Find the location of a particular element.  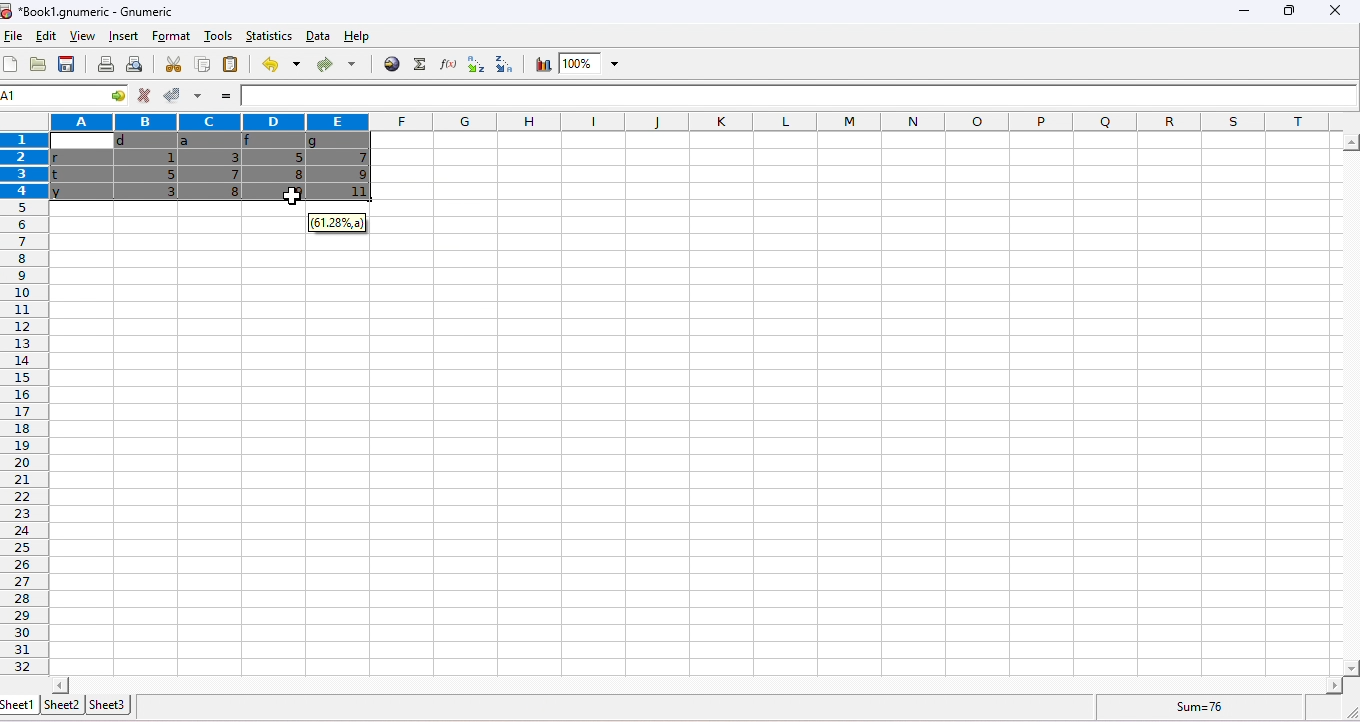

view is located at coordinates (80, 38).